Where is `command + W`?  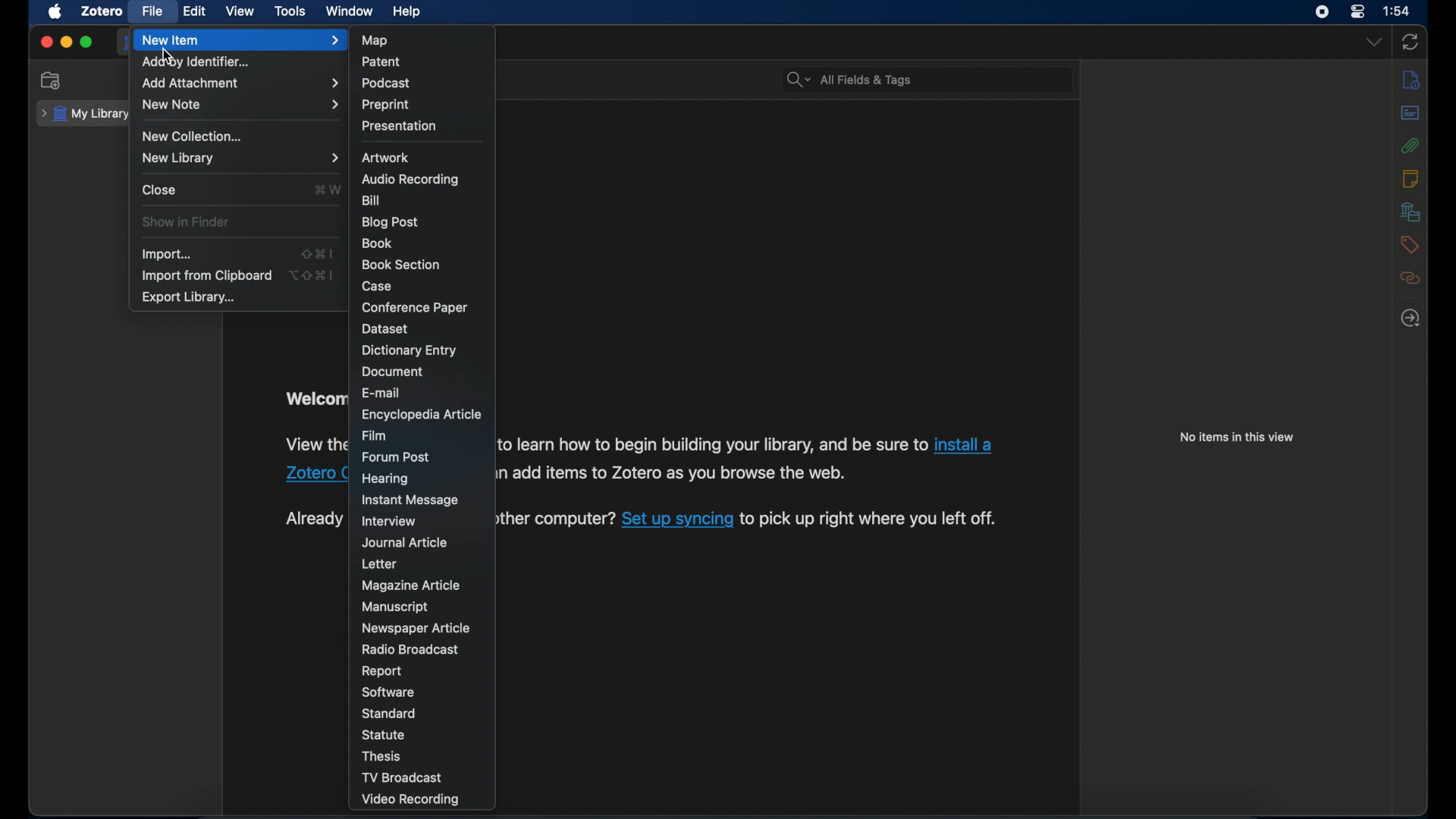
command + W is located at coordinates (328, 189).